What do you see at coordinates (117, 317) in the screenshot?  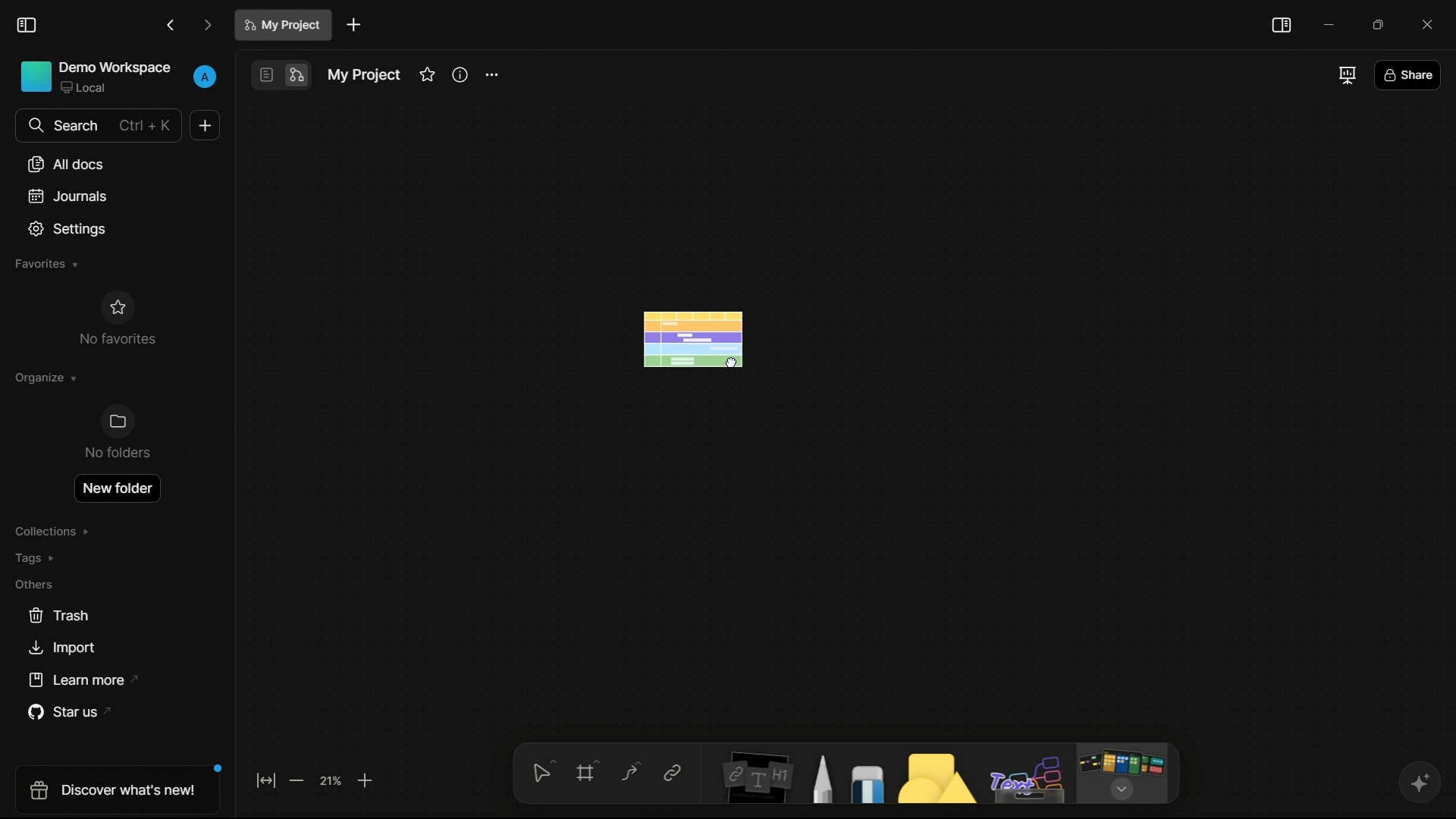 I see `no favorites` at bounding box center [117, 317].